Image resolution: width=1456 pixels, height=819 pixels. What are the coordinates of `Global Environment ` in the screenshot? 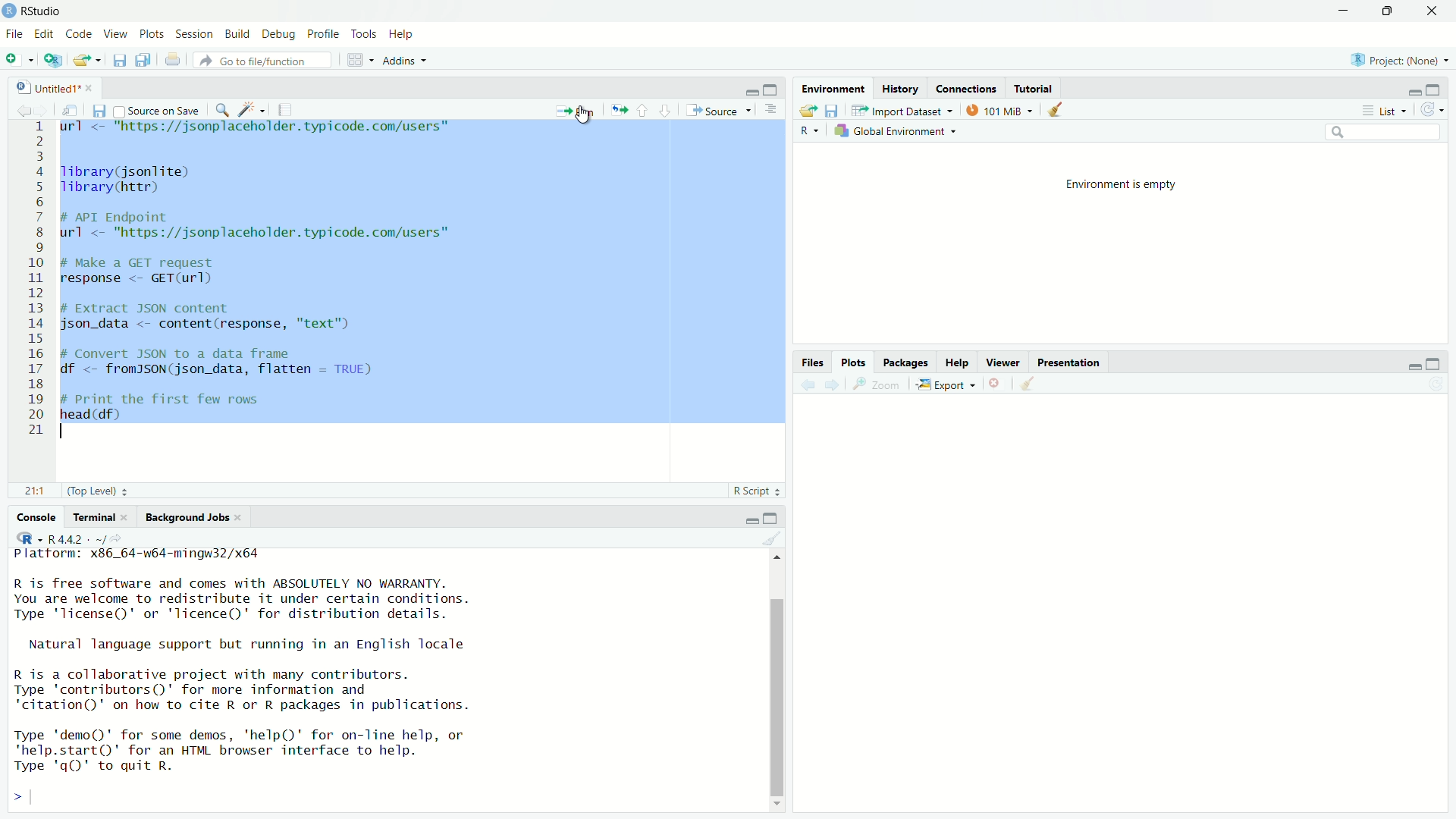 It's located at (895, 133).